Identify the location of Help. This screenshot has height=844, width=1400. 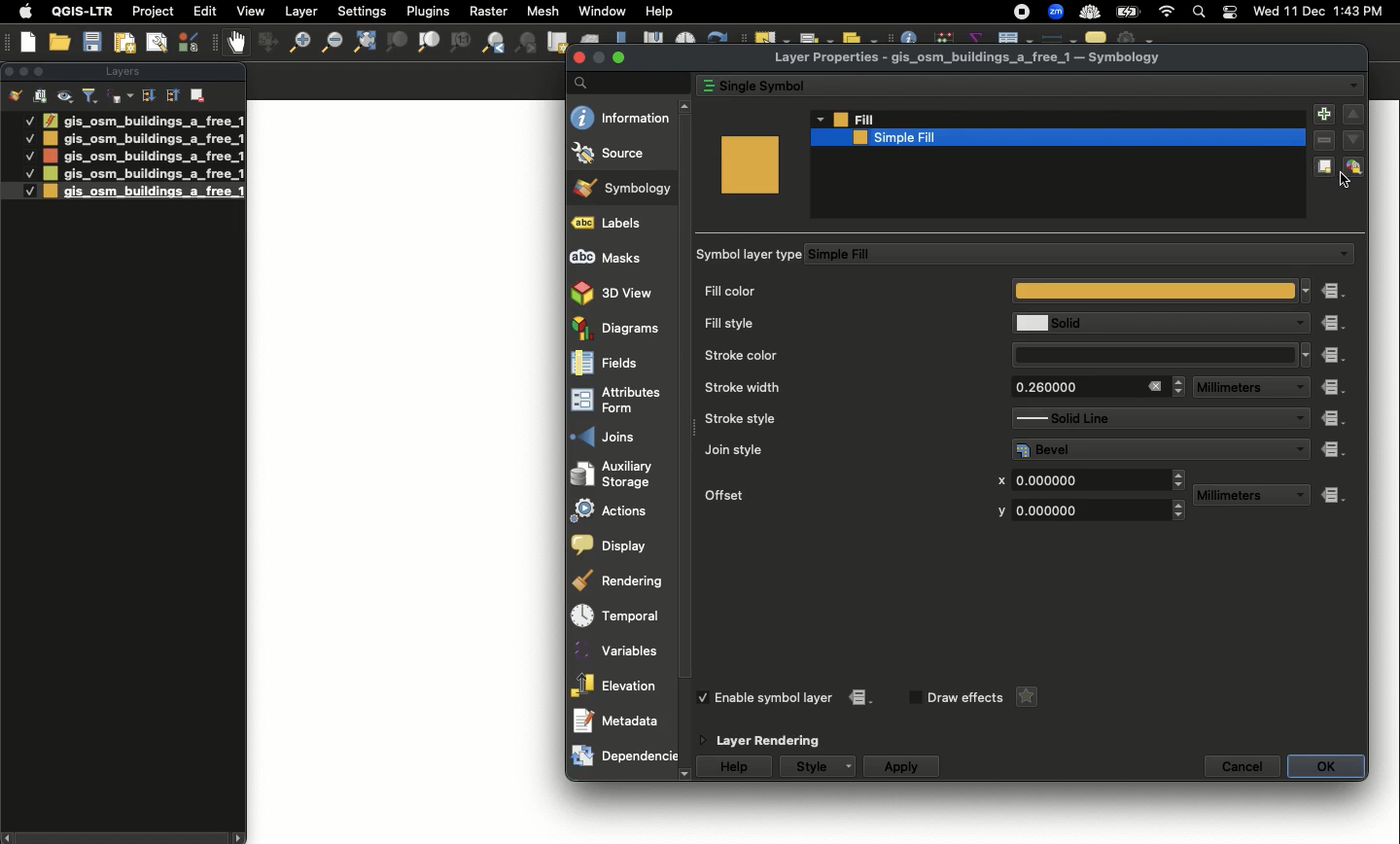
(659, 12).